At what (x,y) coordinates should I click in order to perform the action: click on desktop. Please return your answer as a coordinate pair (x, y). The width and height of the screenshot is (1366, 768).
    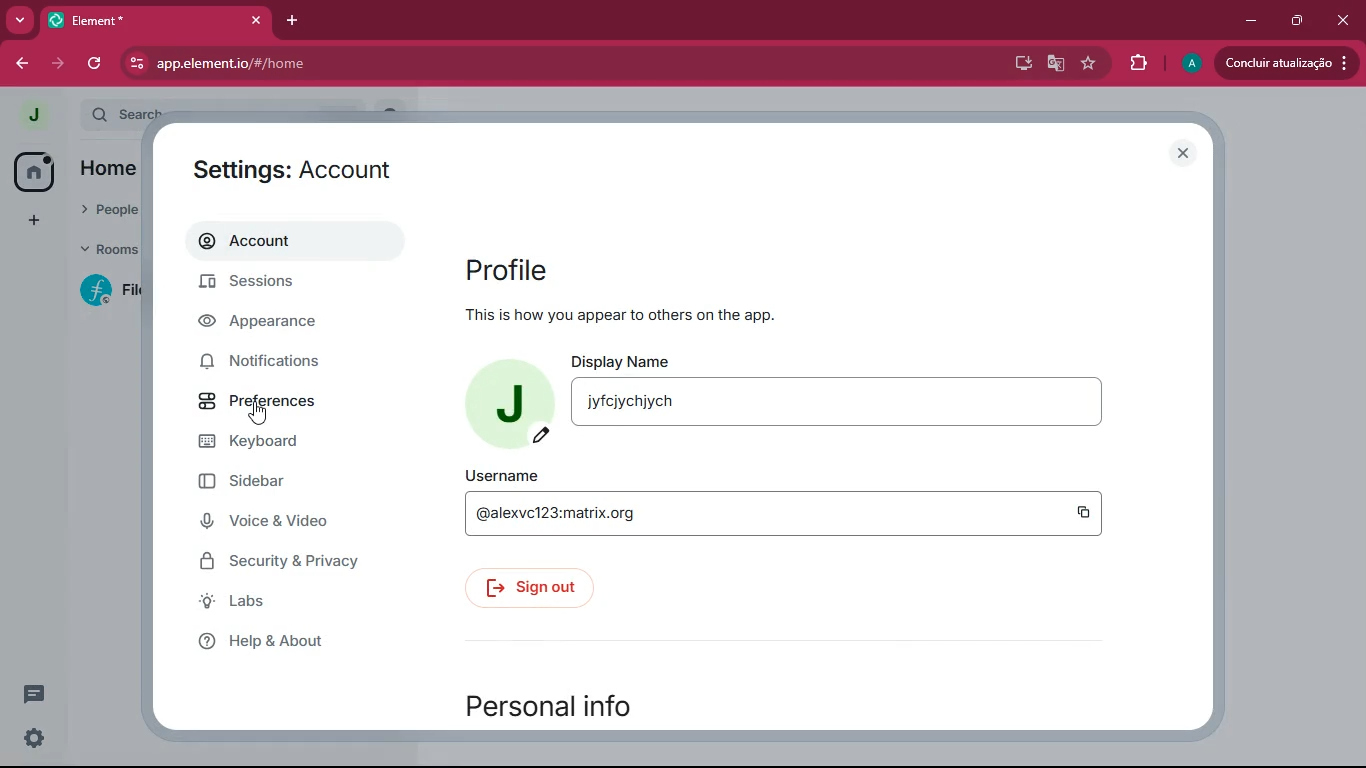
    Looking at the image, I should click on (1018, 65).